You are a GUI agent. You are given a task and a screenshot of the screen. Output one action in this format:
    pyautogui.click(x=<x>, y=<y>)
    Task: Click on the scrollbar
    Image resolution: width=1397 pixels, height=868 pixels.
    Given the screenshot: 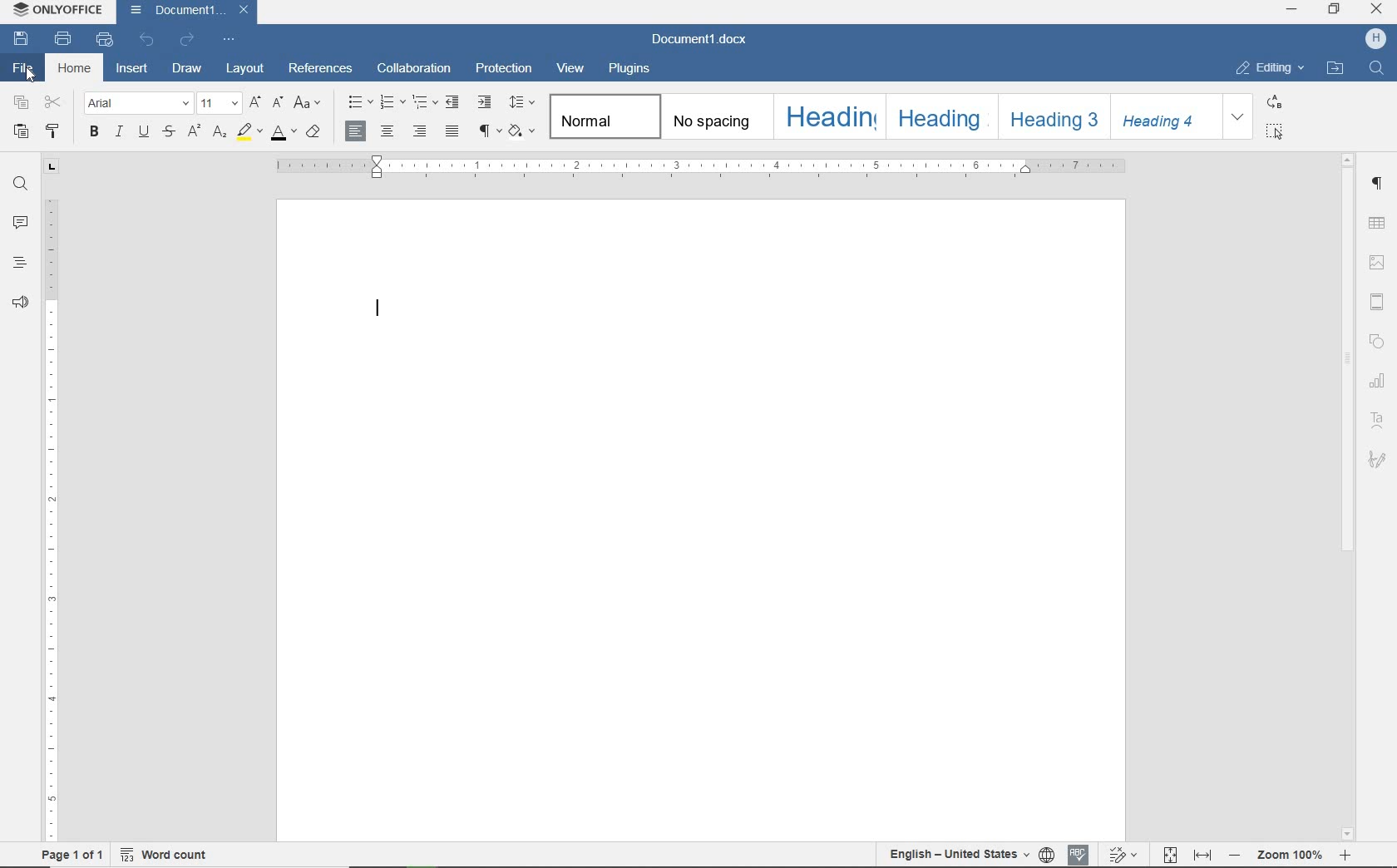 What is the action you would take?
    pyautogui.click(x=1345, y=496)
    